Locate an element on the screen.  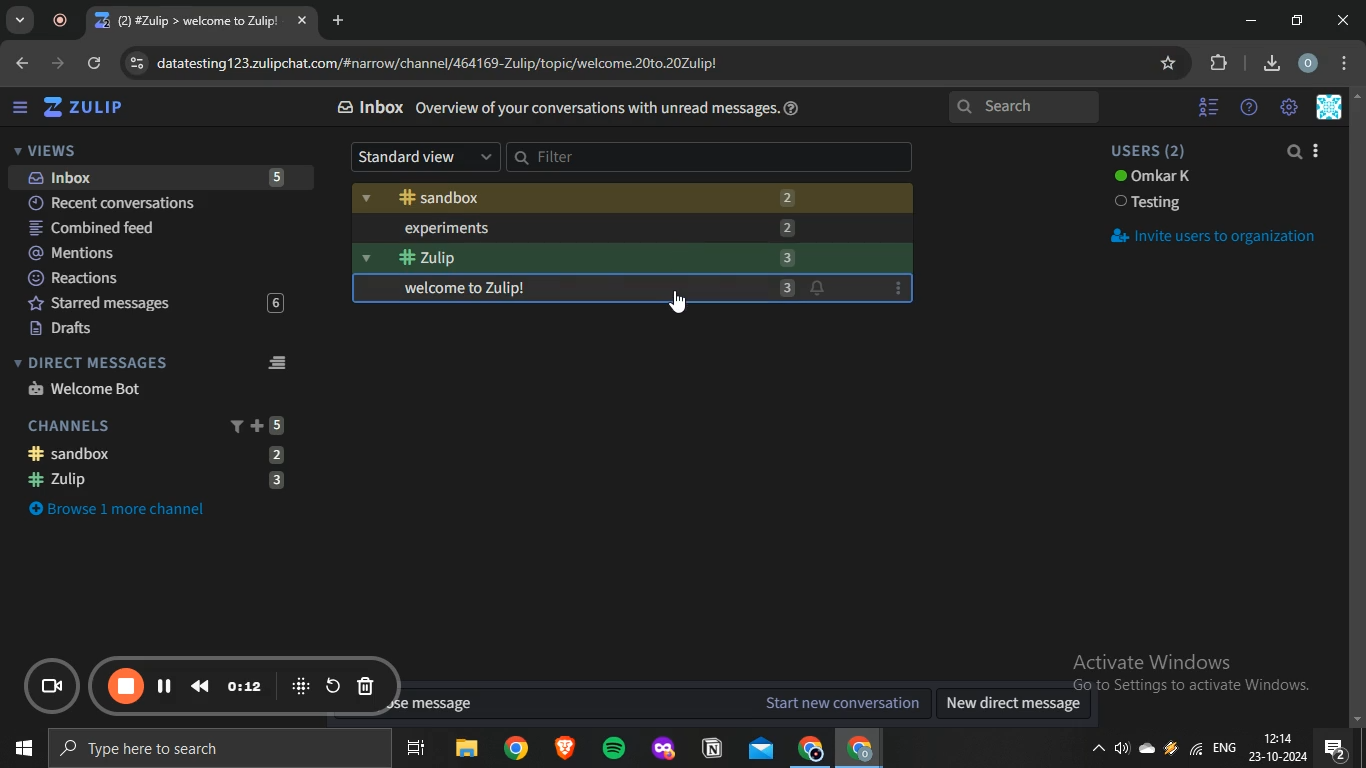
type here to search is located at coordinates (215, 750).